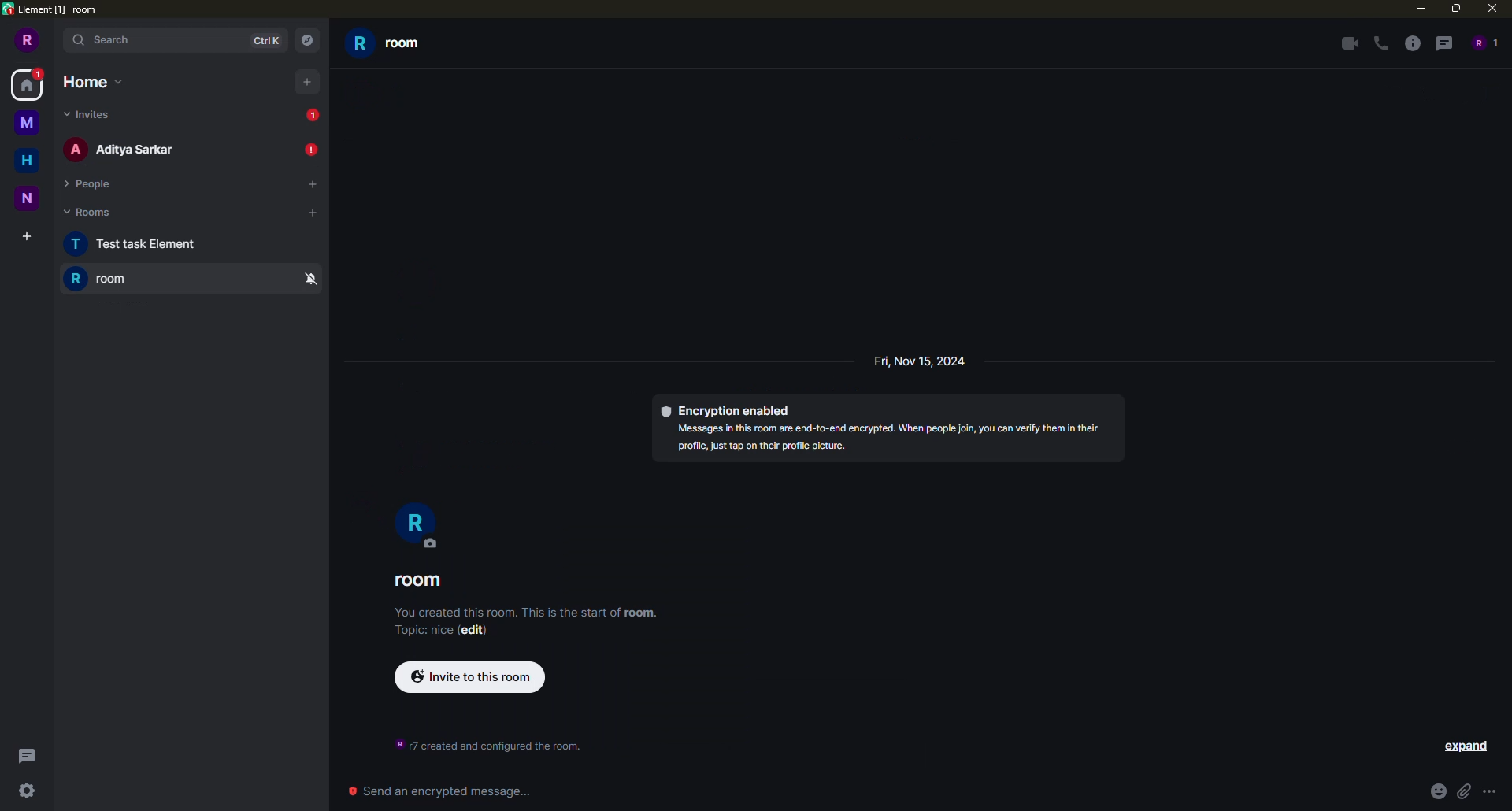 Image resolution: width=1512 pixels, height=811 pixels. Describe the element at coordinates (135, 244) in the screenshot. I see `room` at that location.